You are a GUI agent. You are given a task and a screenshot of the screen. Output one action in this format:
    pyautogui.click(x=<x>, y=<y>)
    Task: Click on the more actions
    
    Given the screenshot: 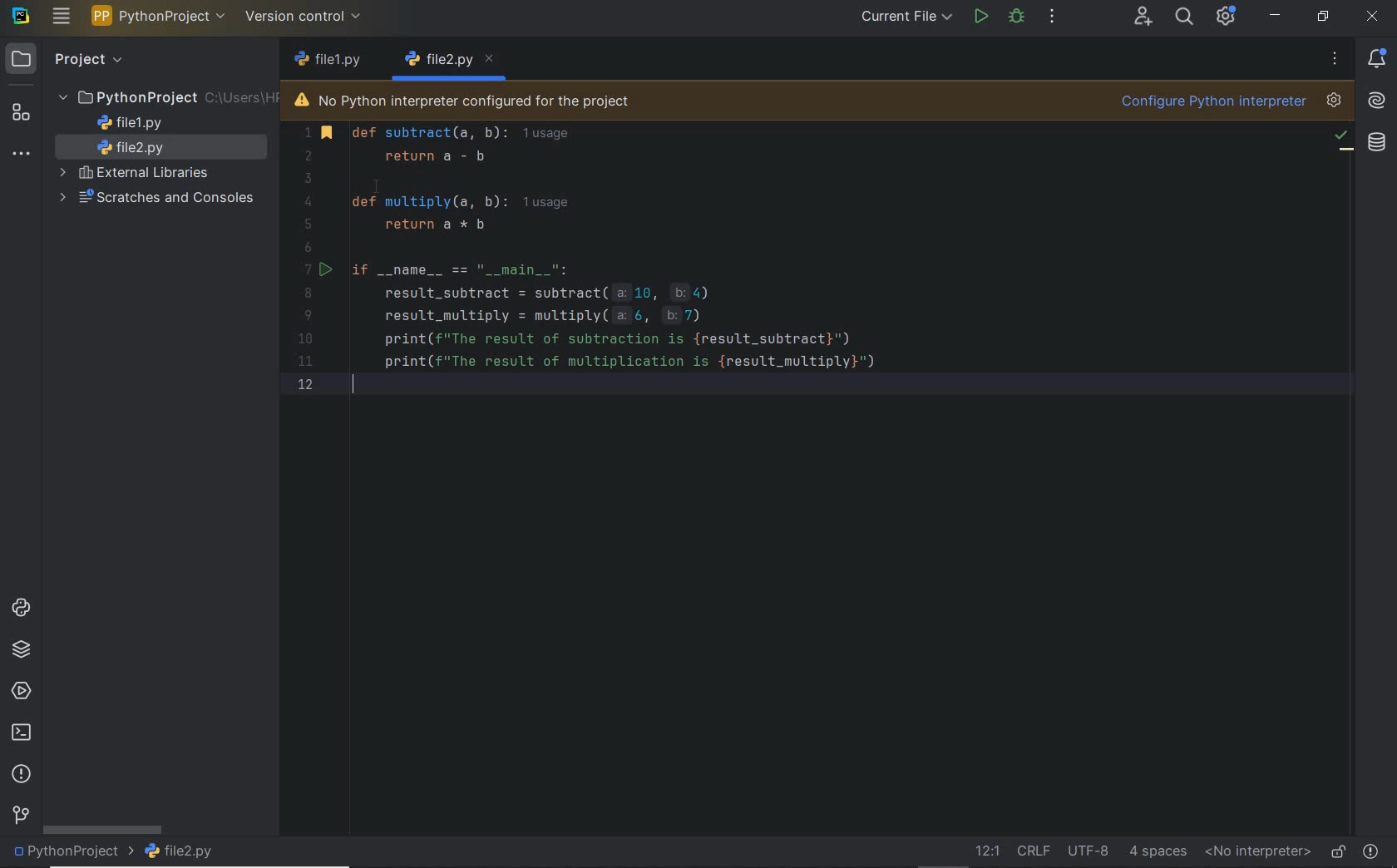 What is the action you would take?
    pyautogui.click(x=1052, y=16)
    